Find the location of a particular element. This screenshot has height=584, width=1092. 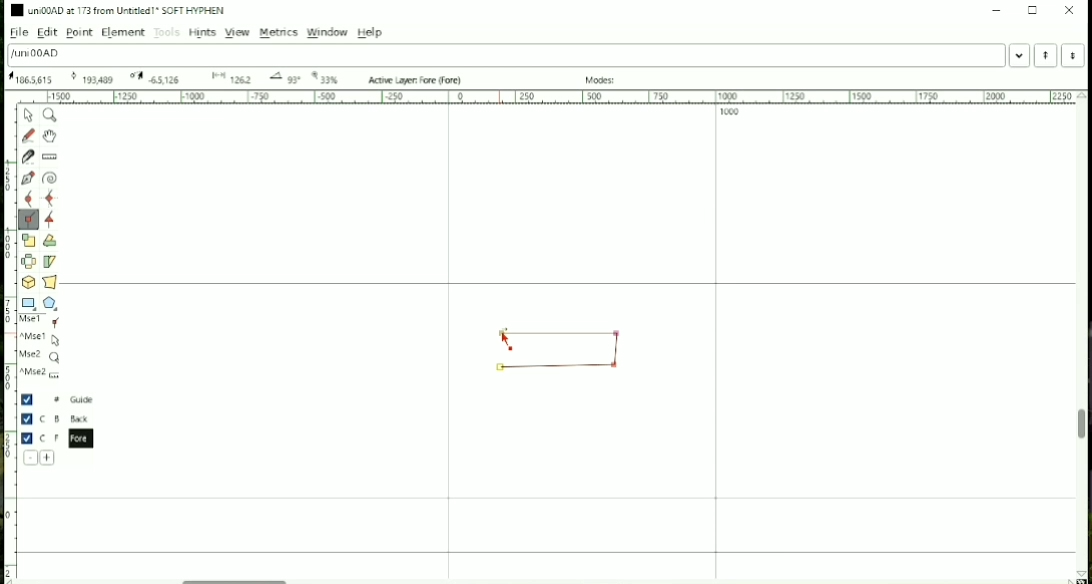

173 Oxad U+00AD "uni00AD" SOFT HYPHEN is located at coordinates (1078, 572).